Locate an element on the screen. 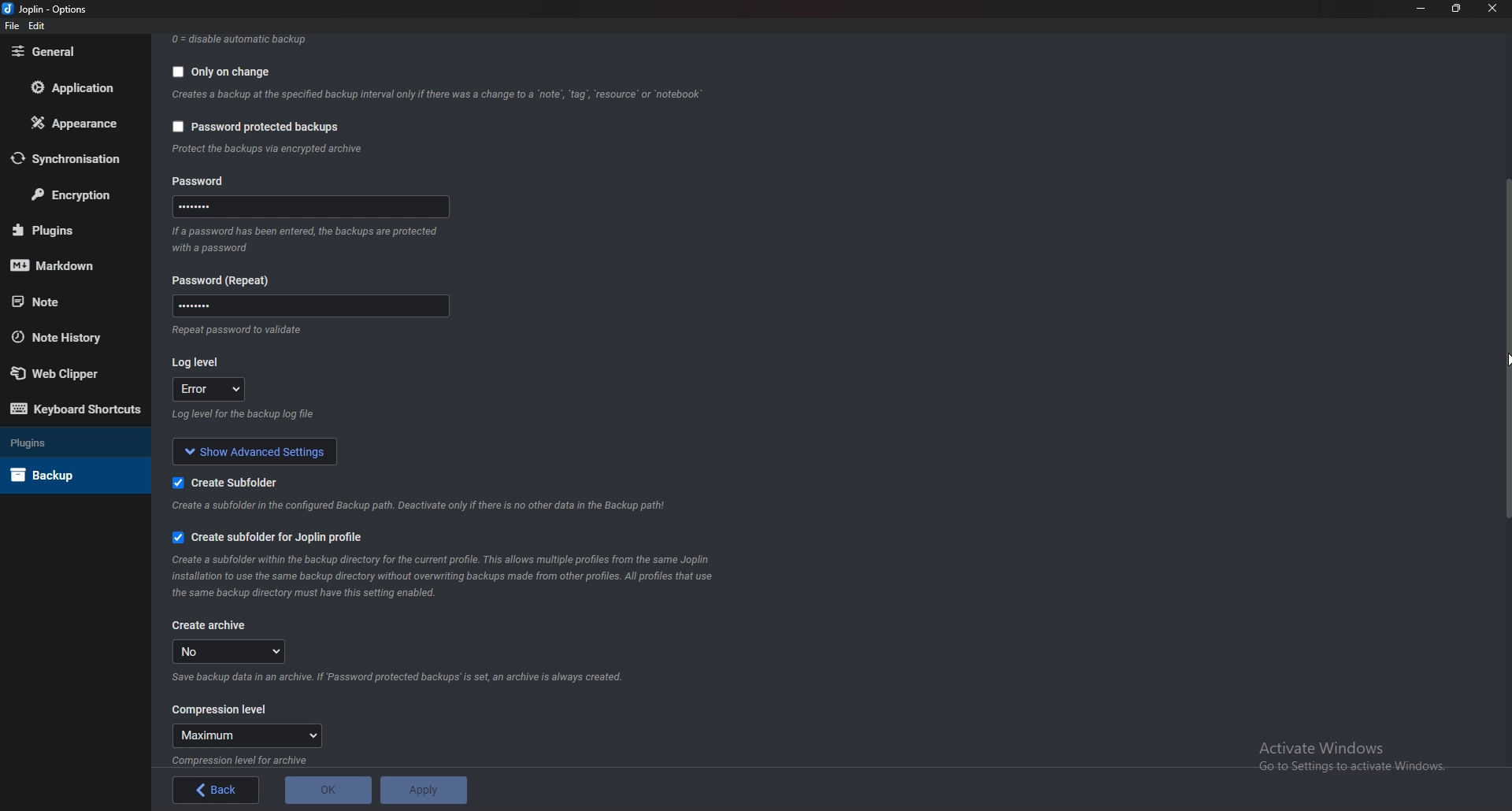  Create sub folder for joplin profile is located at coordinates (269, 538).